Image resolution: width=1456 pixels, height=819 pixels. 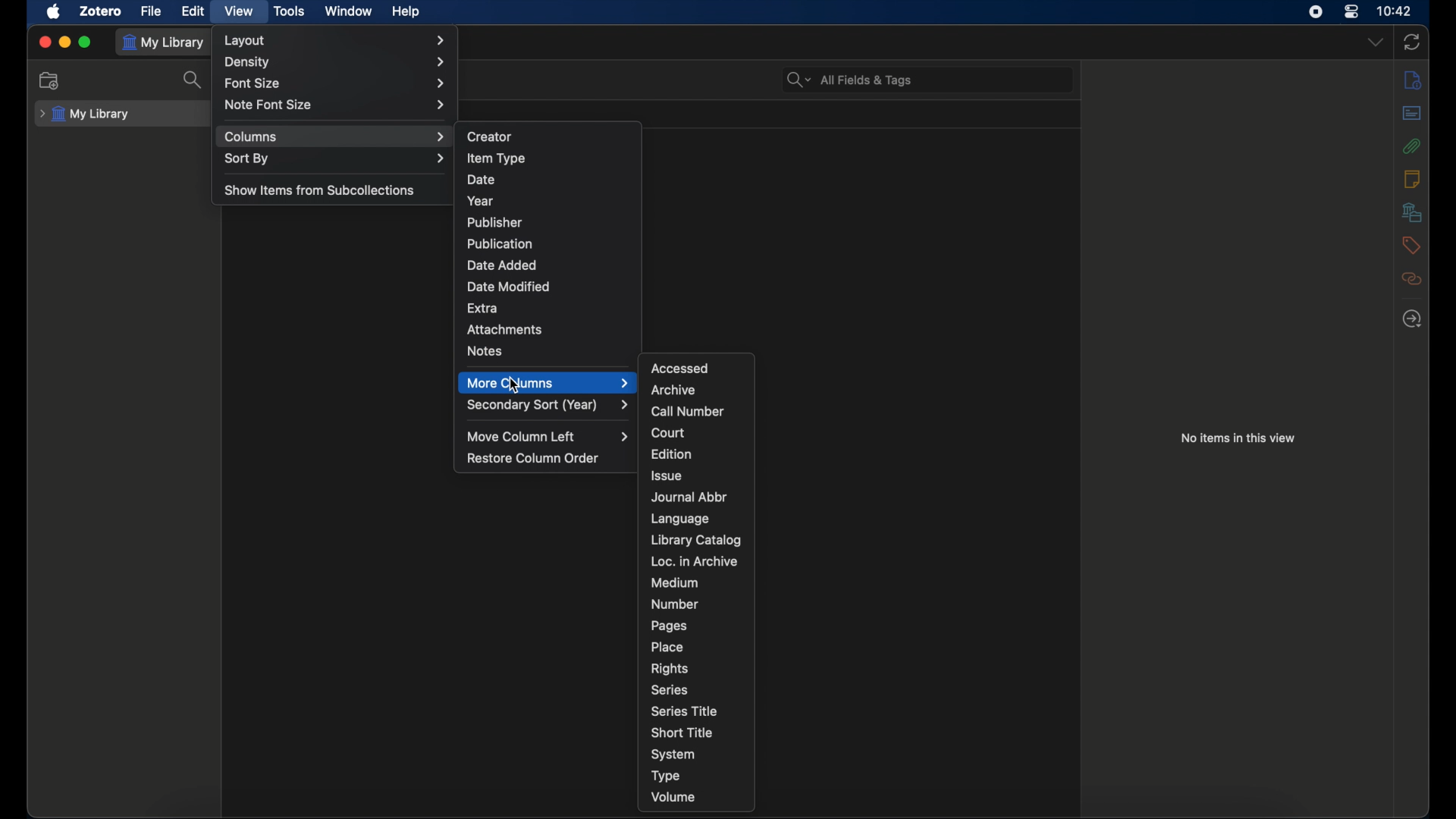 What do you see at coordinates (1412, 42) in the screenshot?
I see `sync` at bounding box center [1412, 42].